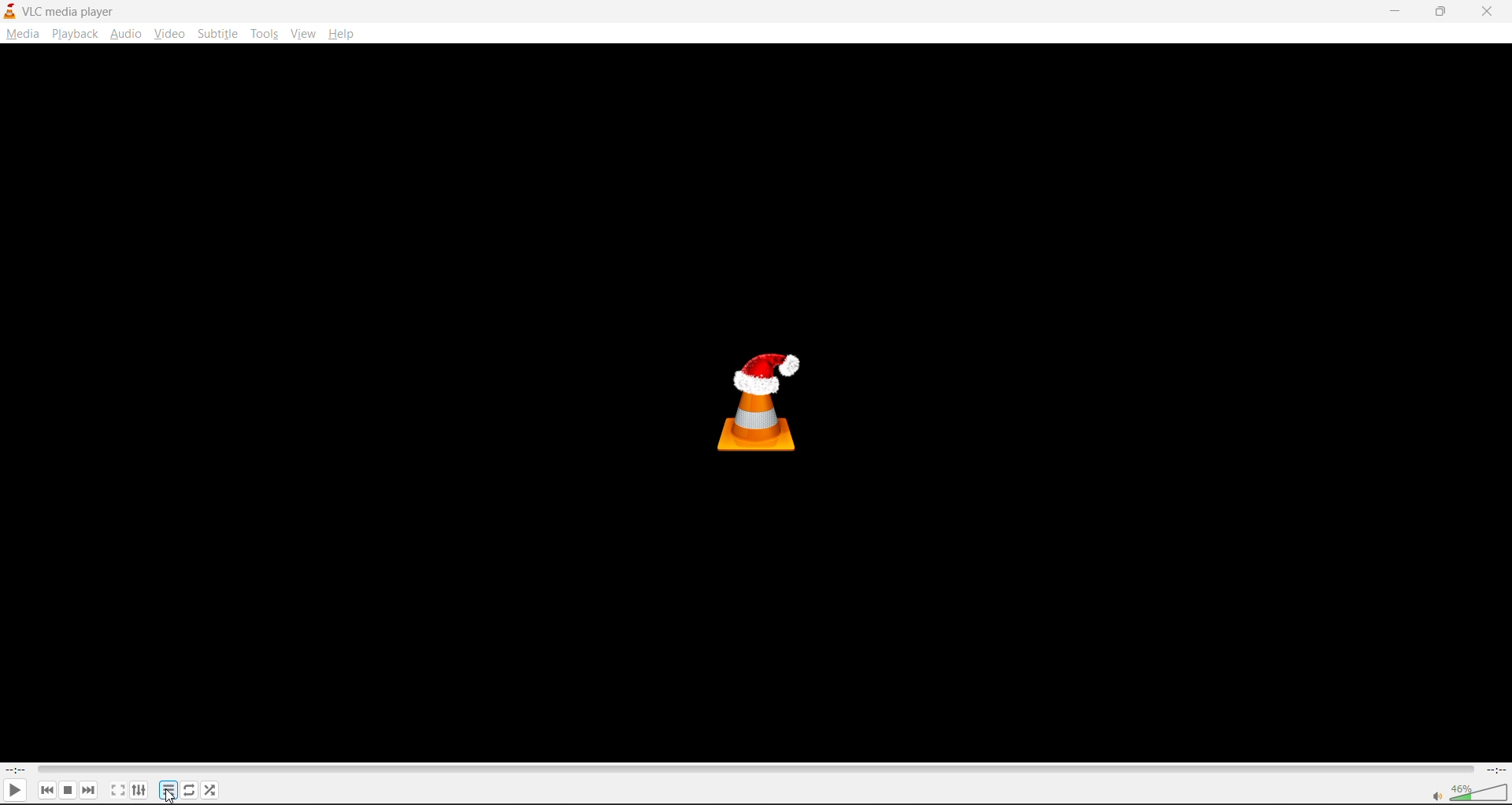  What do you see at coordinates (23, 32) in the screenshot?
I see `media` at bounding box center [23, 32].